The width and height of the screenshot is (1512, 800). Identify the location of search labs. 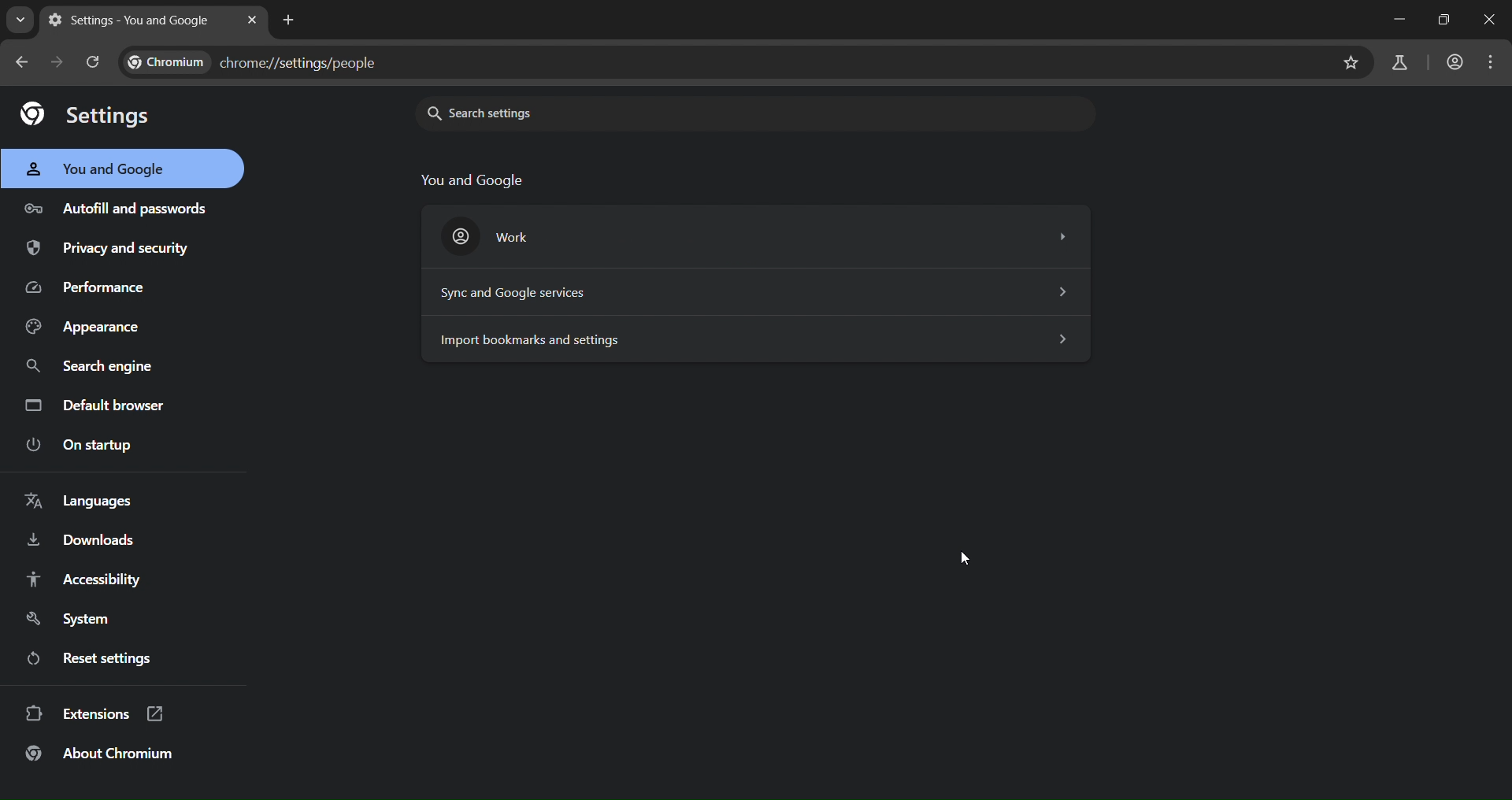
(1394, 64).